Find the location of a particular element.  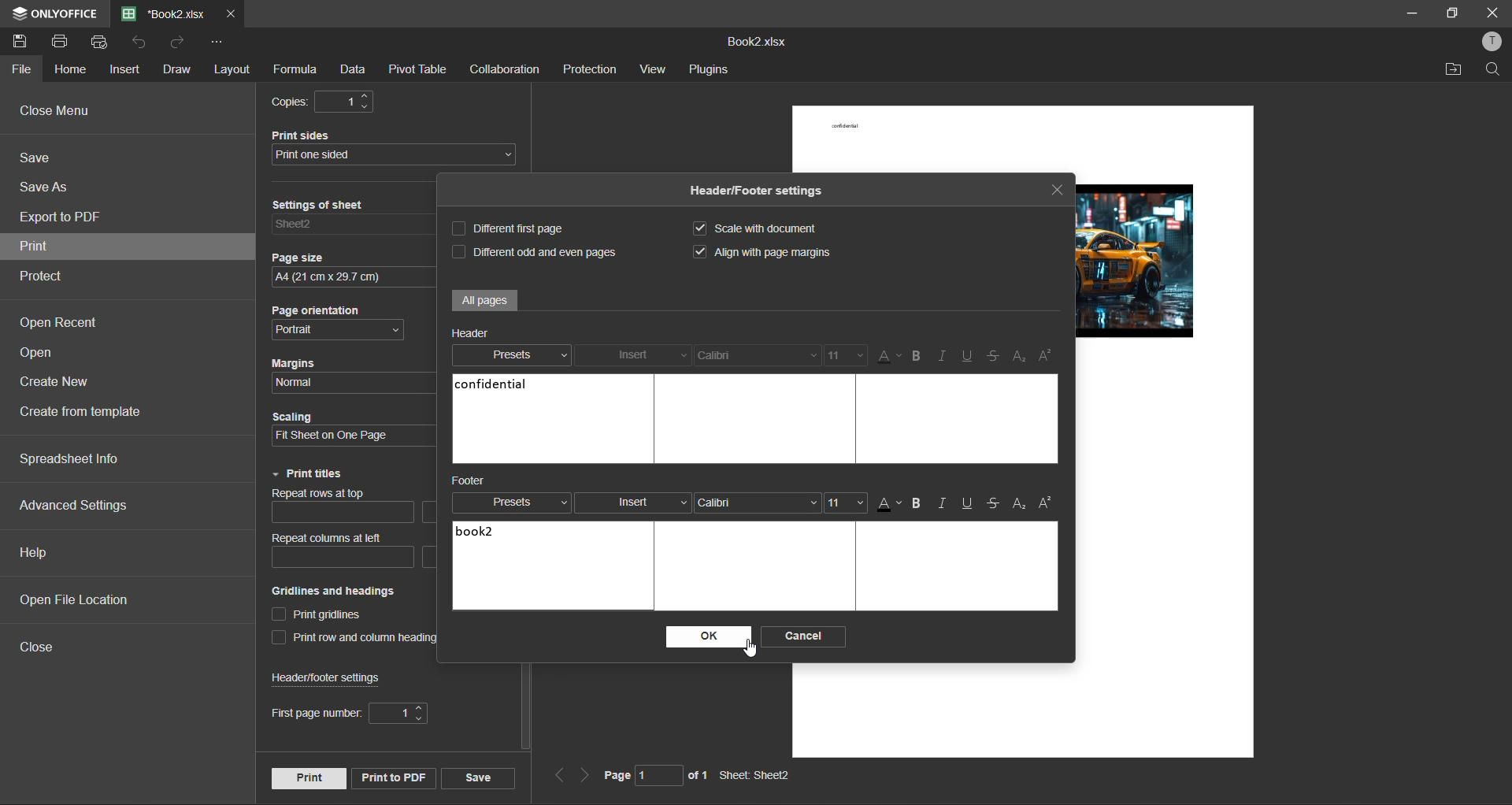

scaling is located at coordinates (354, 436).